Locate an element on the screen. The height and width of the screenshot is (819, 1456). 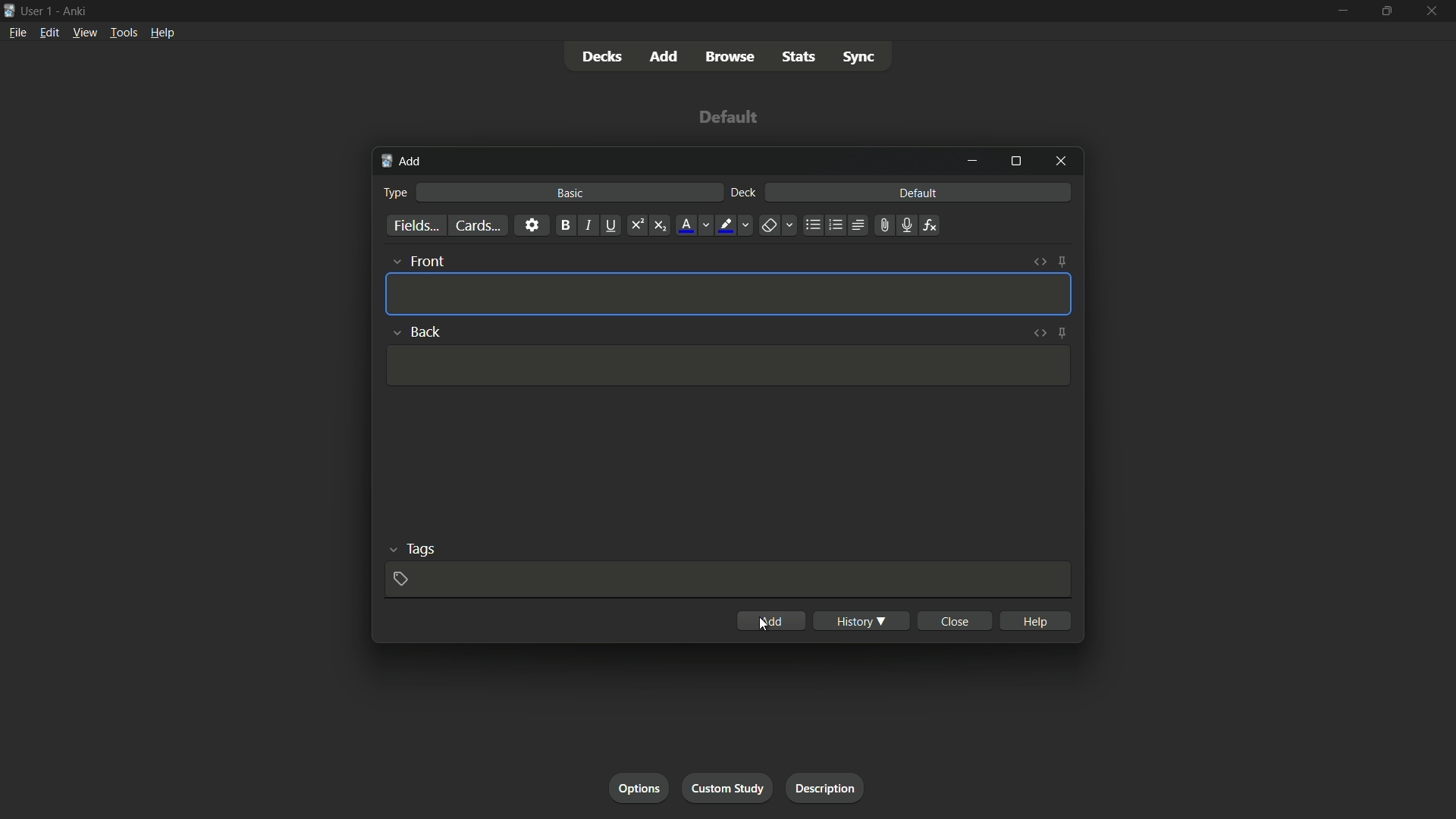
Input Template is located at coordinates (725, 366).